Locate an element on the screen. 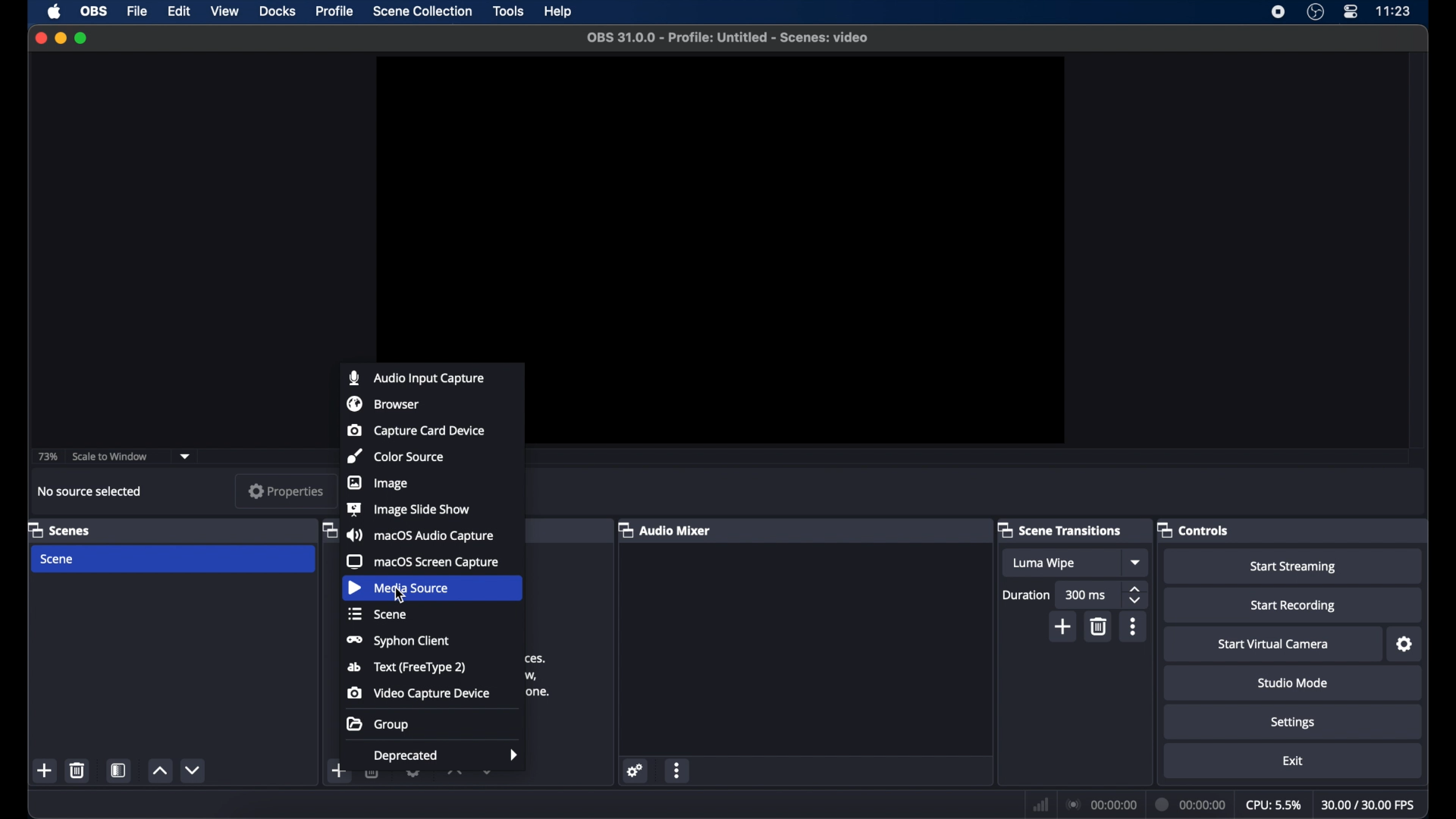  image is located at coordinates (378, 482).